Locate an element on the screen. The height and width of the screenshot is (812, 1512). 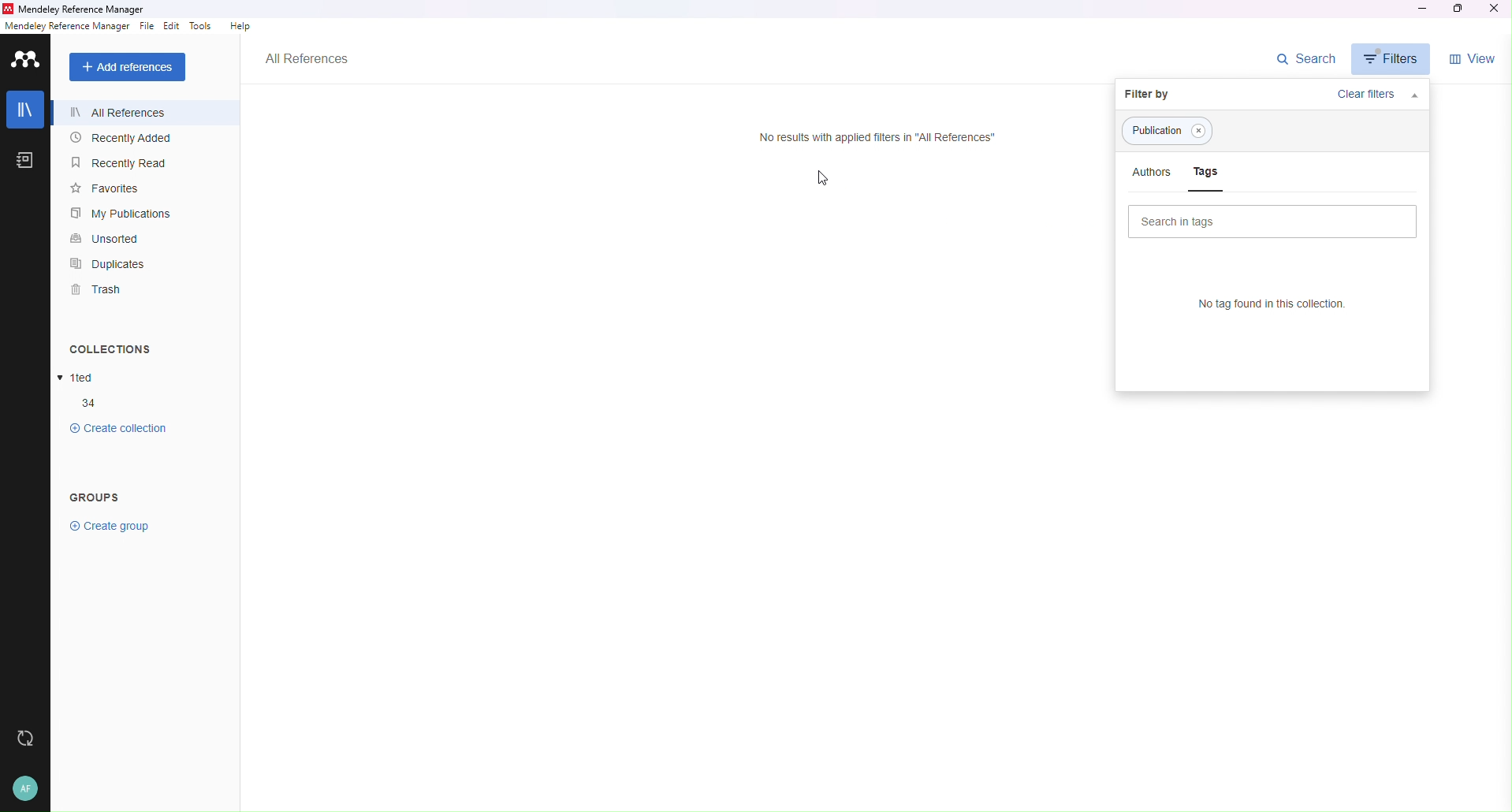
® Create group is located at coordinates (113, 527).